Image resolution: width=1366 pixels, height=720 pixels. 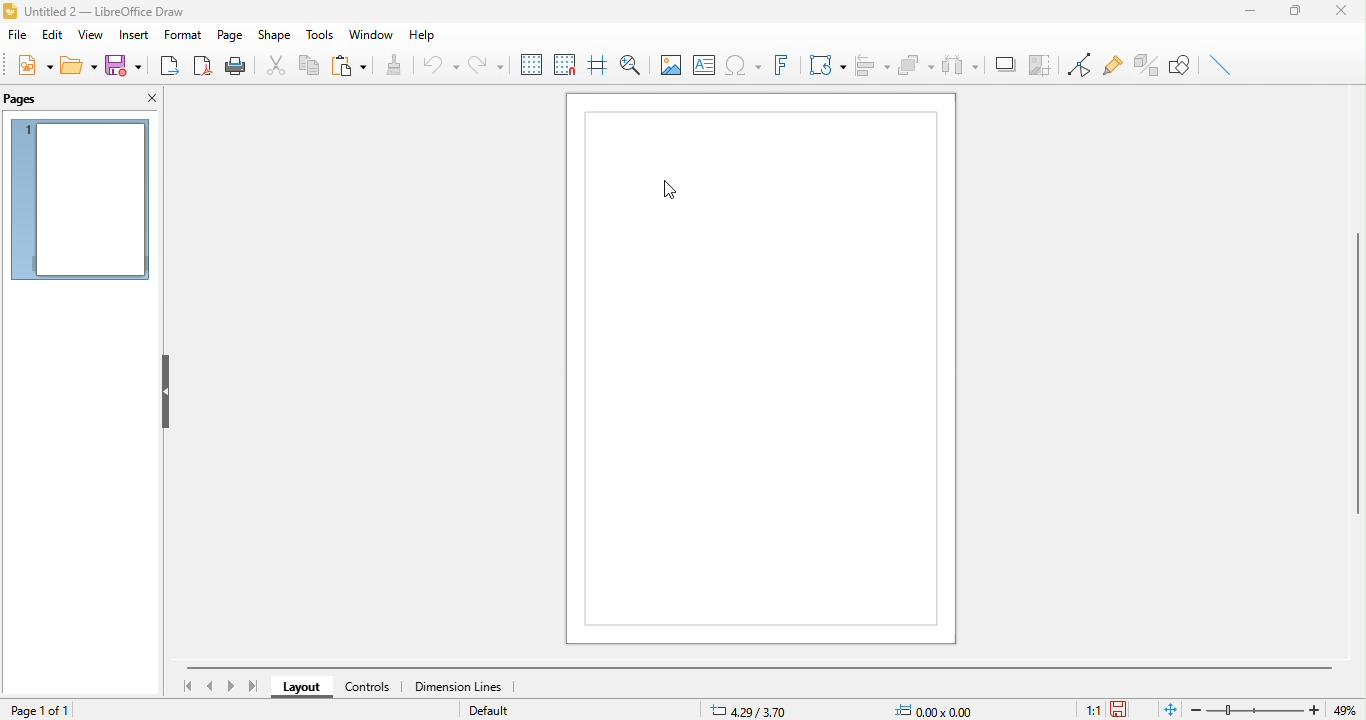 What do you see at coordinates (763, 365) in the screenshot?
I see `Page1` at bounding box center [763, 365].